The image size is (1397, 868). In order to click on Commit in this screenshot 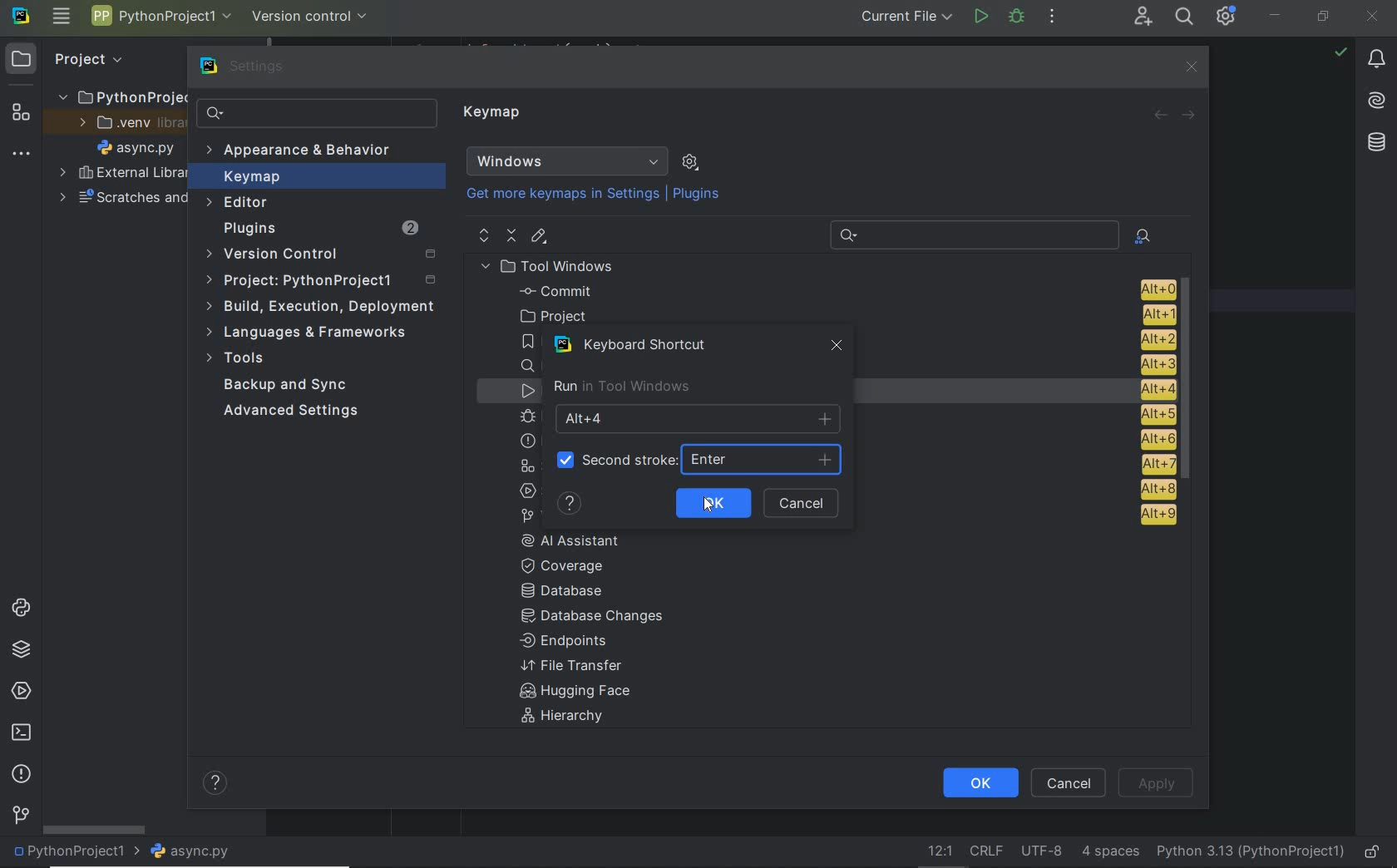, I will do `click(844, 291)`.